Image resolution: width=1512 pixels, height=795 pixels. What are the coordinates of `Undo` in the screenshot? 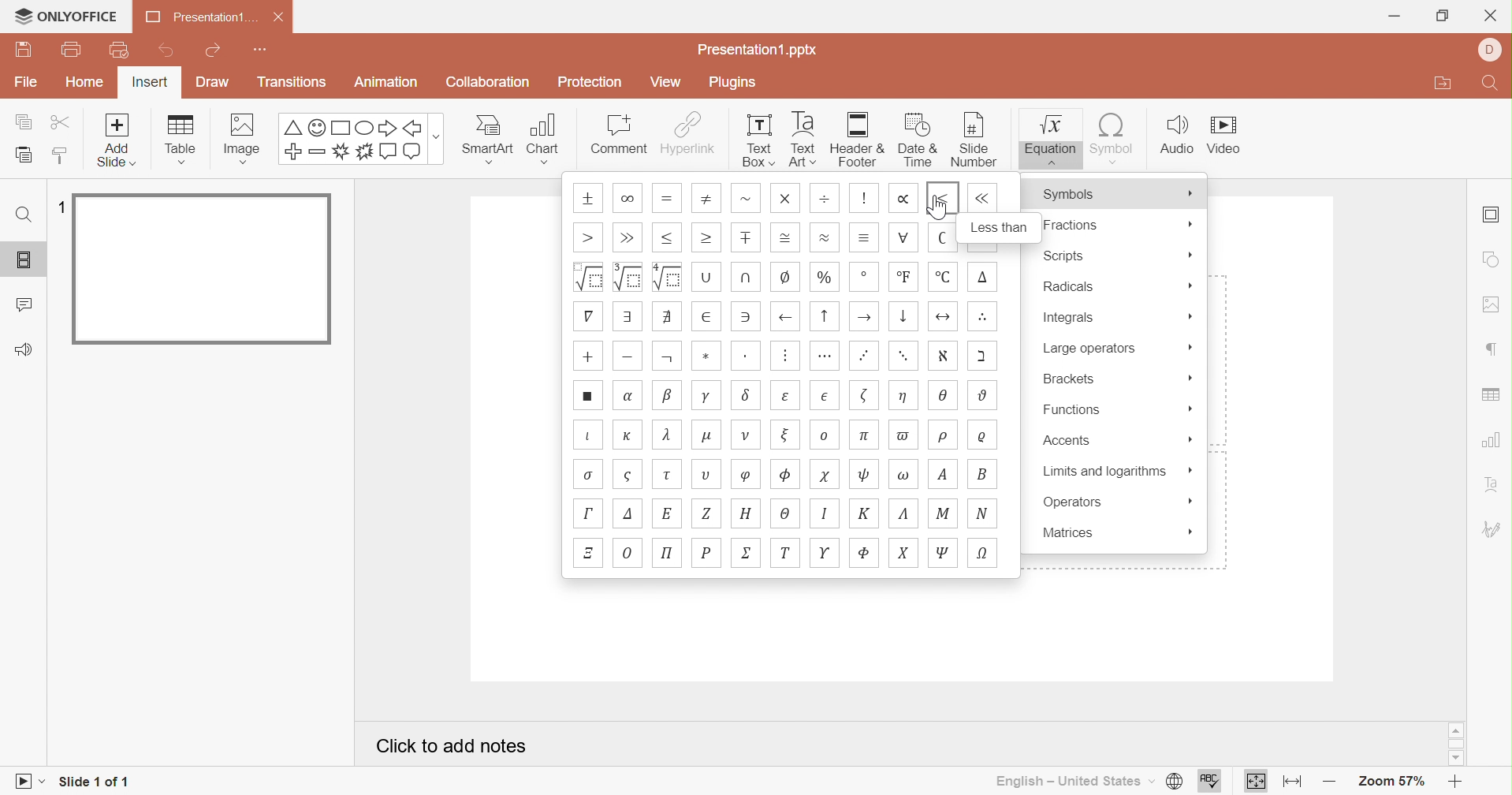 It's located at (167, 54).